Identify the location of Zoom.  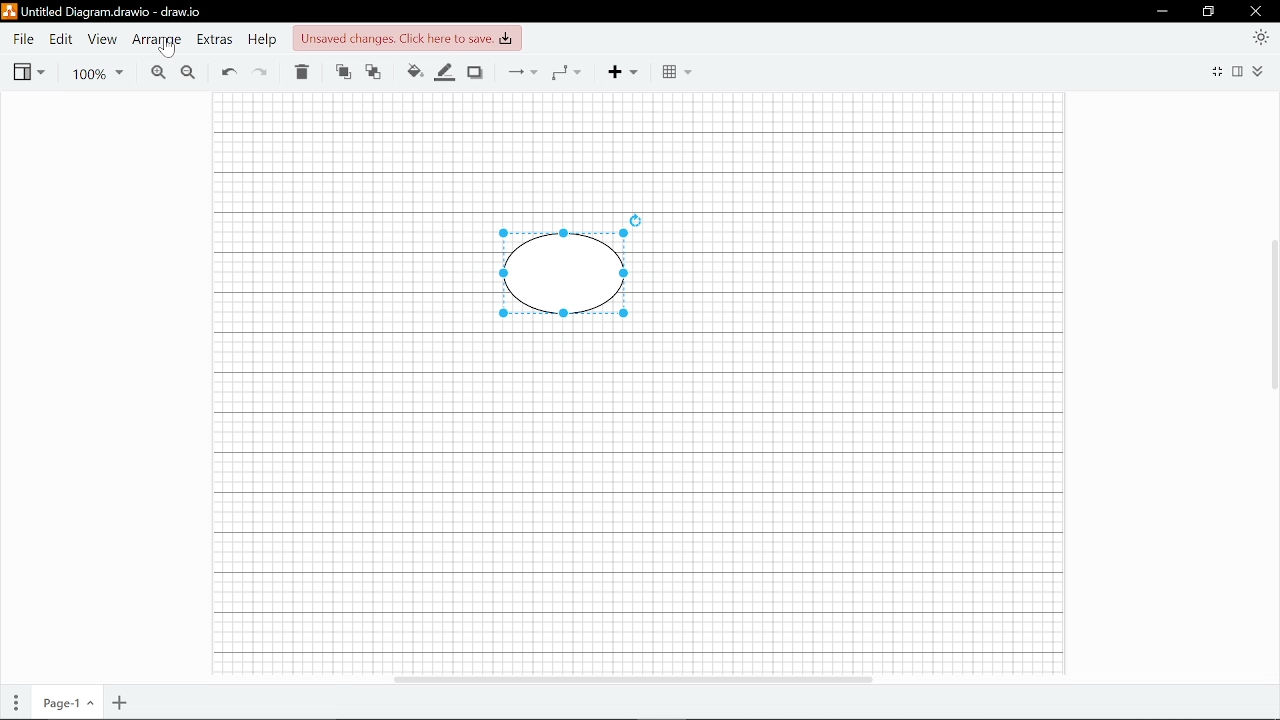
(93, 73).